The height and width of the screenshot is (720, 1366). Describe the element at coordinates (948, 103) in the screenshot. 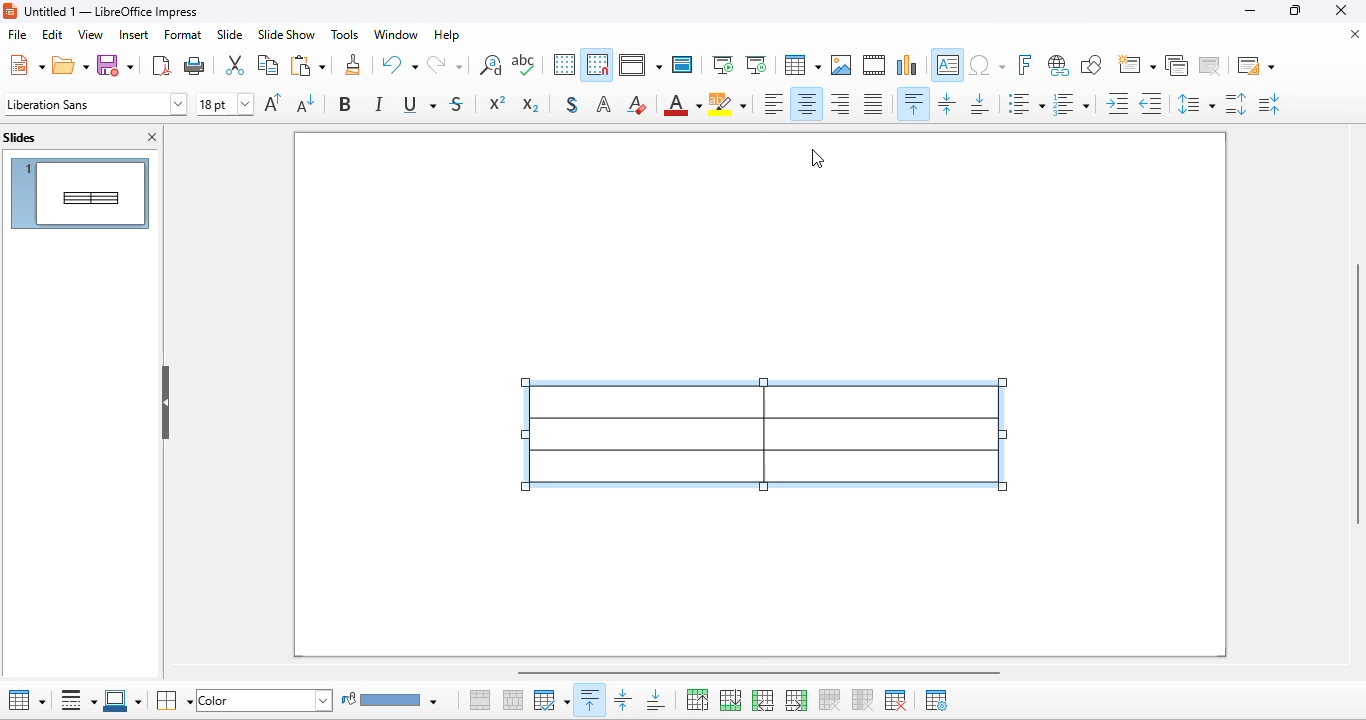

I see `center vertically` at that location.